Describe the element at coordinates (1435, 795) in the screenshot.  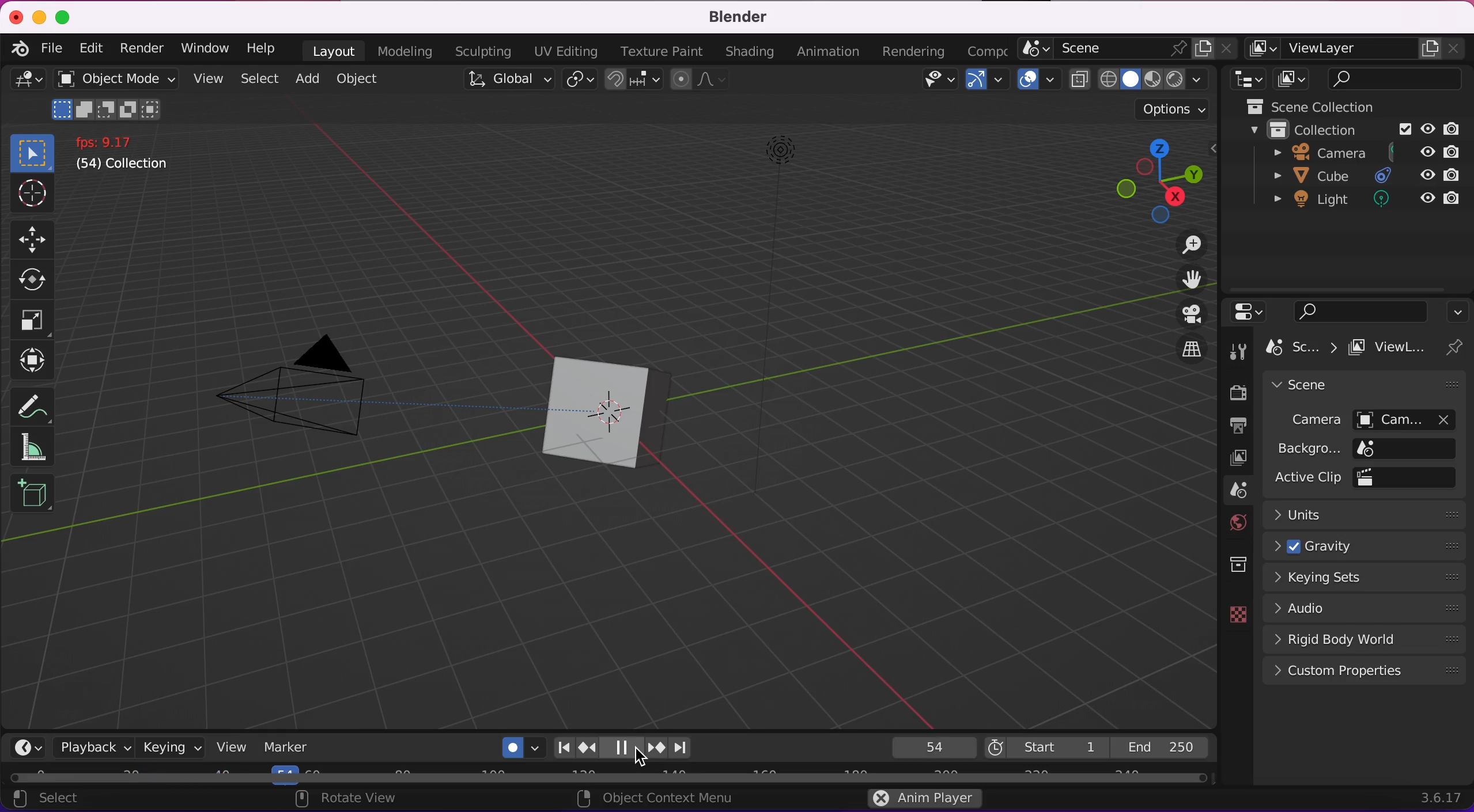
I see `3.6.17` at that location.